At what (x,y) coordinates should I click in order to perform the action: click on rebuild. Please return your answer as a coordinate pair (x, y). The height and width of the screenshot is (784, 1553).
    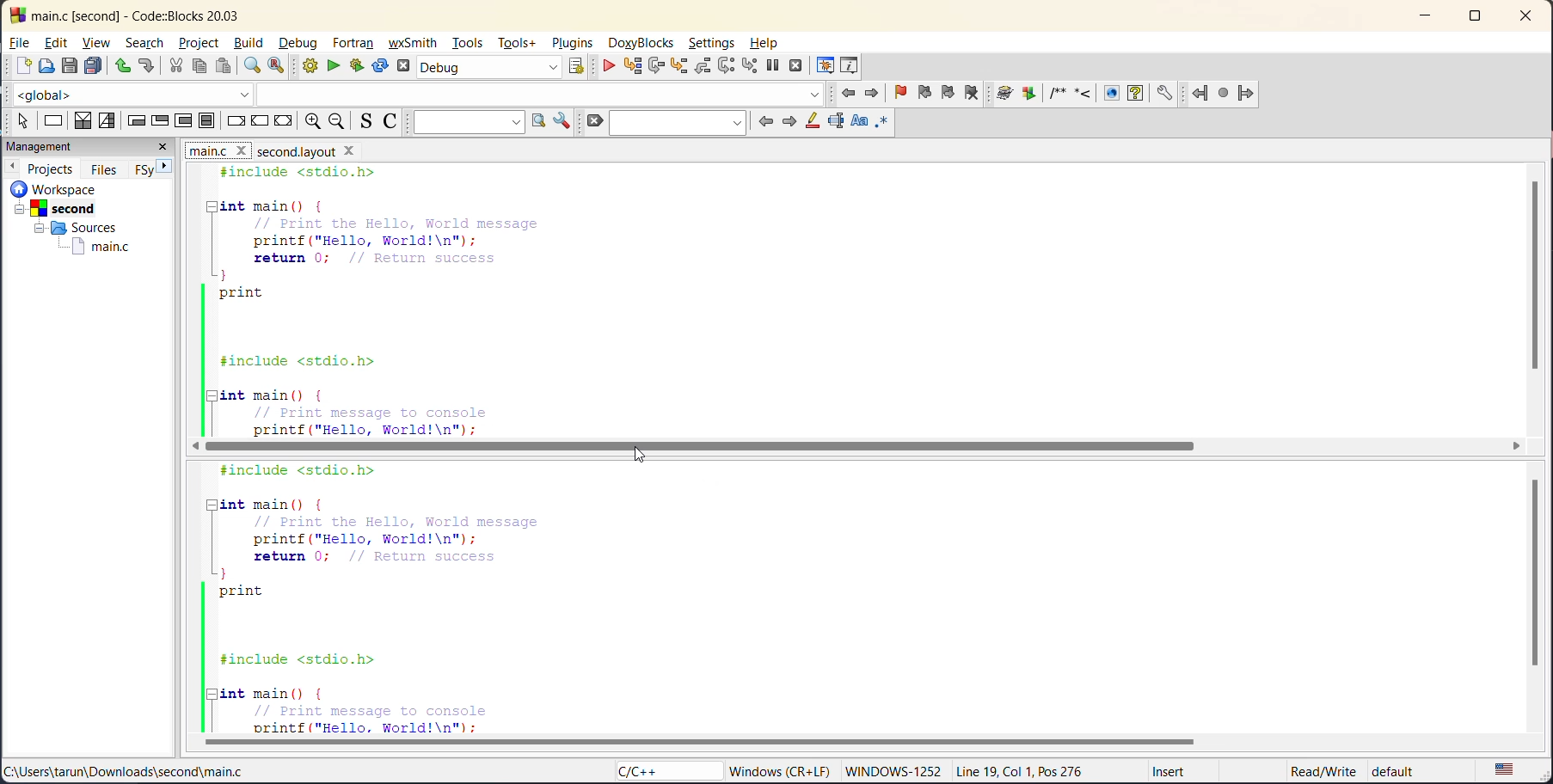
    Looking at the image, I should click on (379, 67).